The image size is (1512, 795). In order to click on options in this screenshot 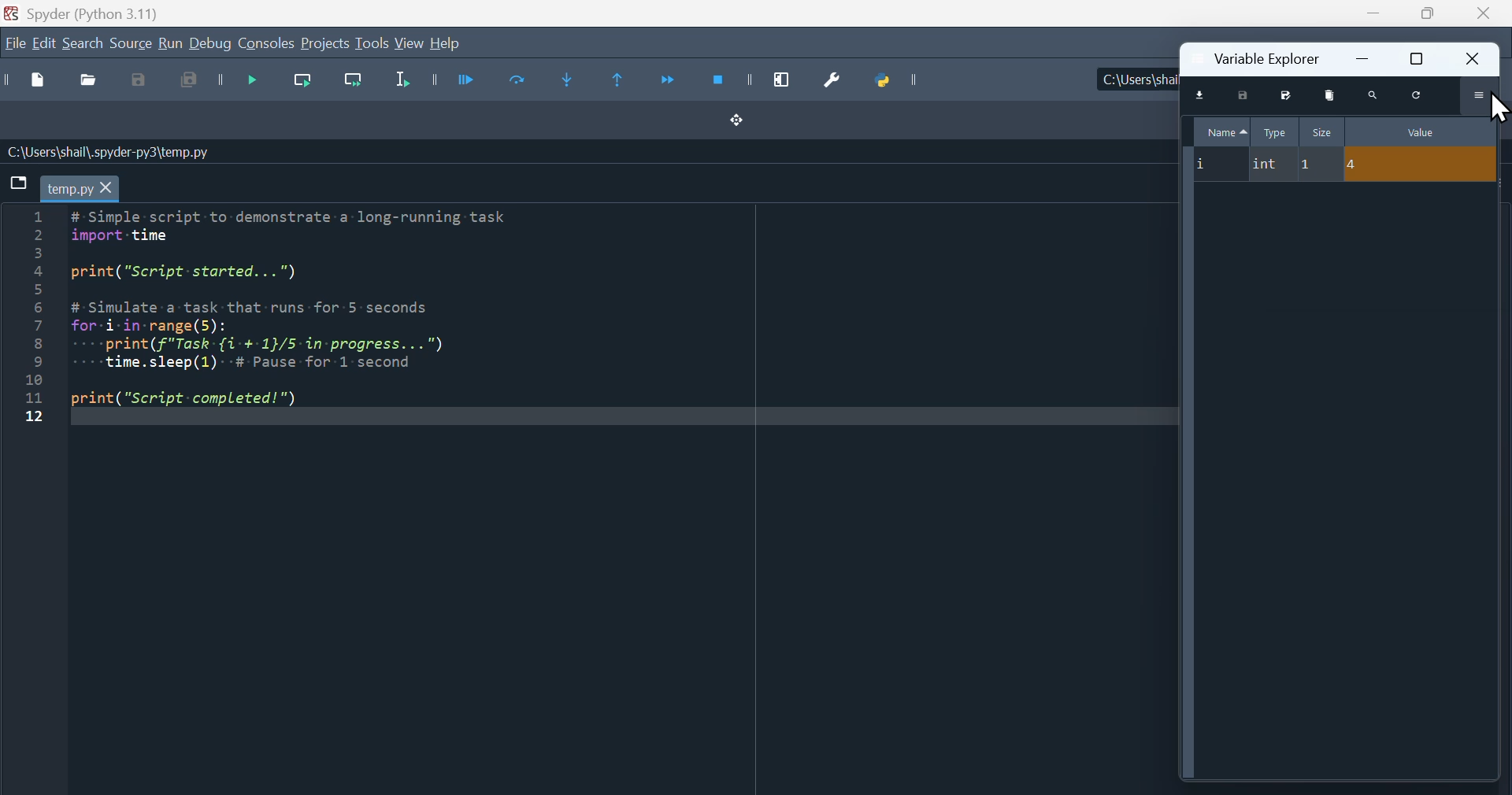, I will do `click(1481, 95)`.